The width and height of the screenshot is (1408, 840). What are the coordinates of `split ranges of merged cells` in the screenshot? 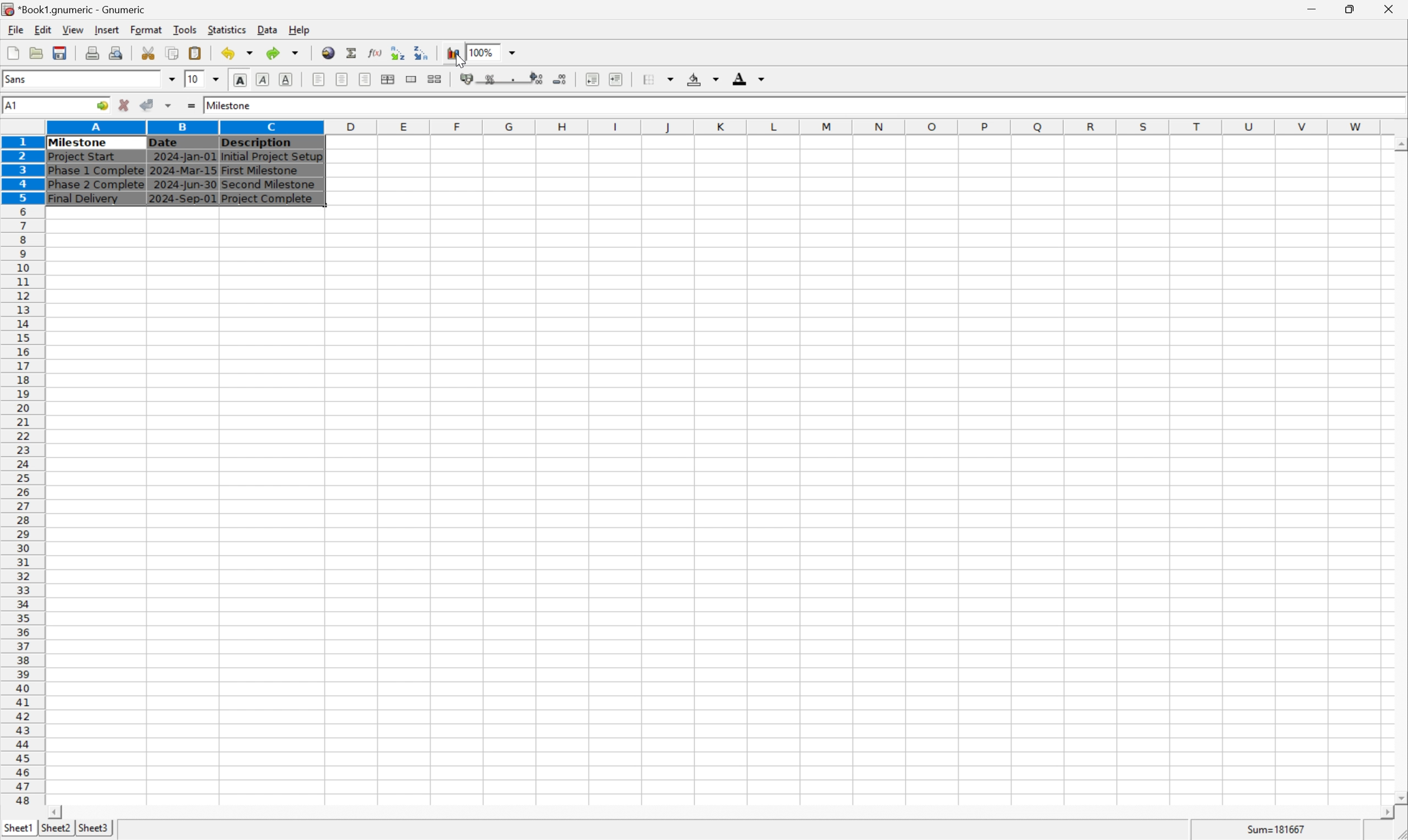 It's located at (435, 79).